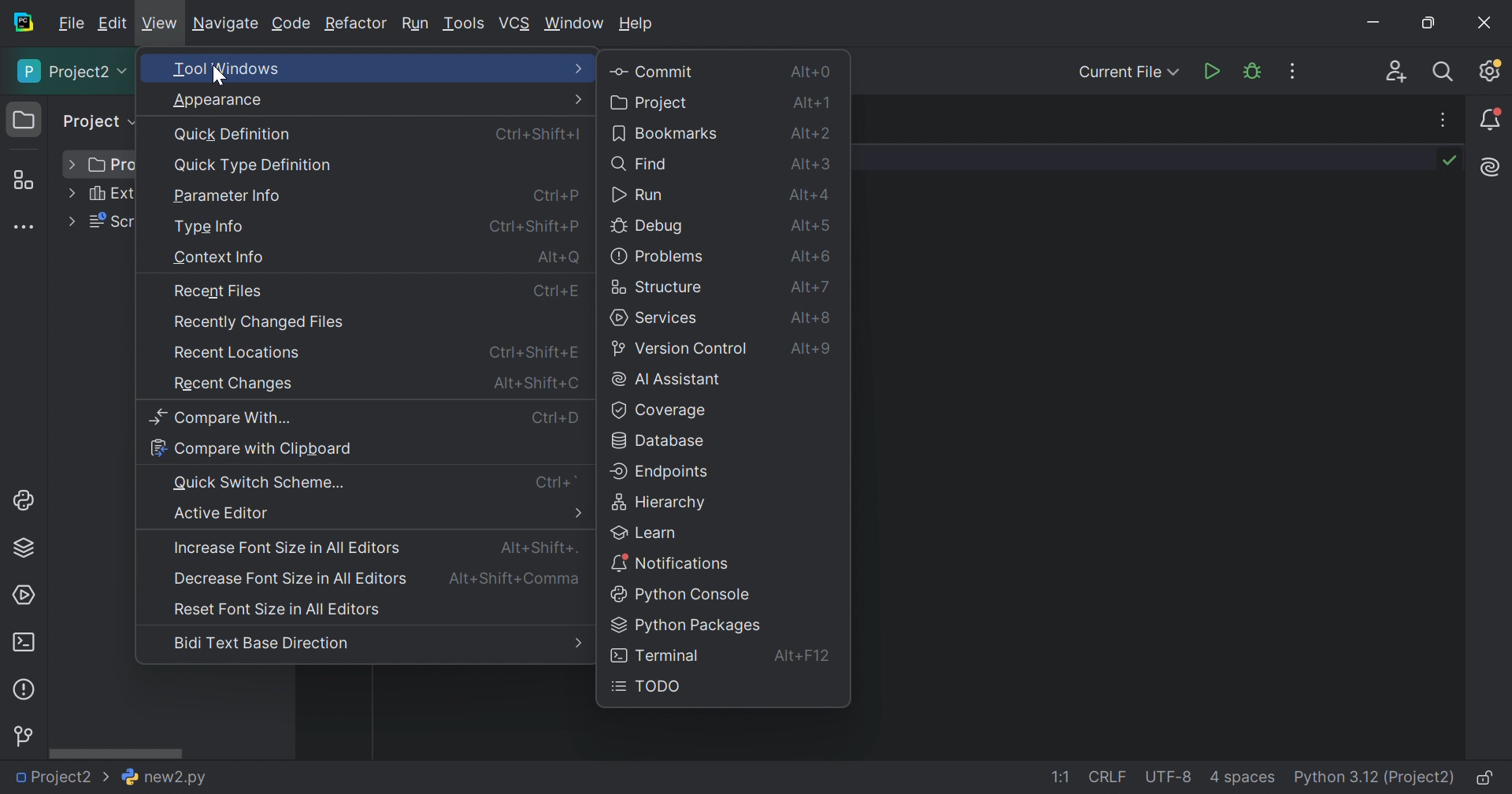 Image resolution: width=1512 pixels, height=794 pixels. I want to click on Minimize, so click(1375, 22).